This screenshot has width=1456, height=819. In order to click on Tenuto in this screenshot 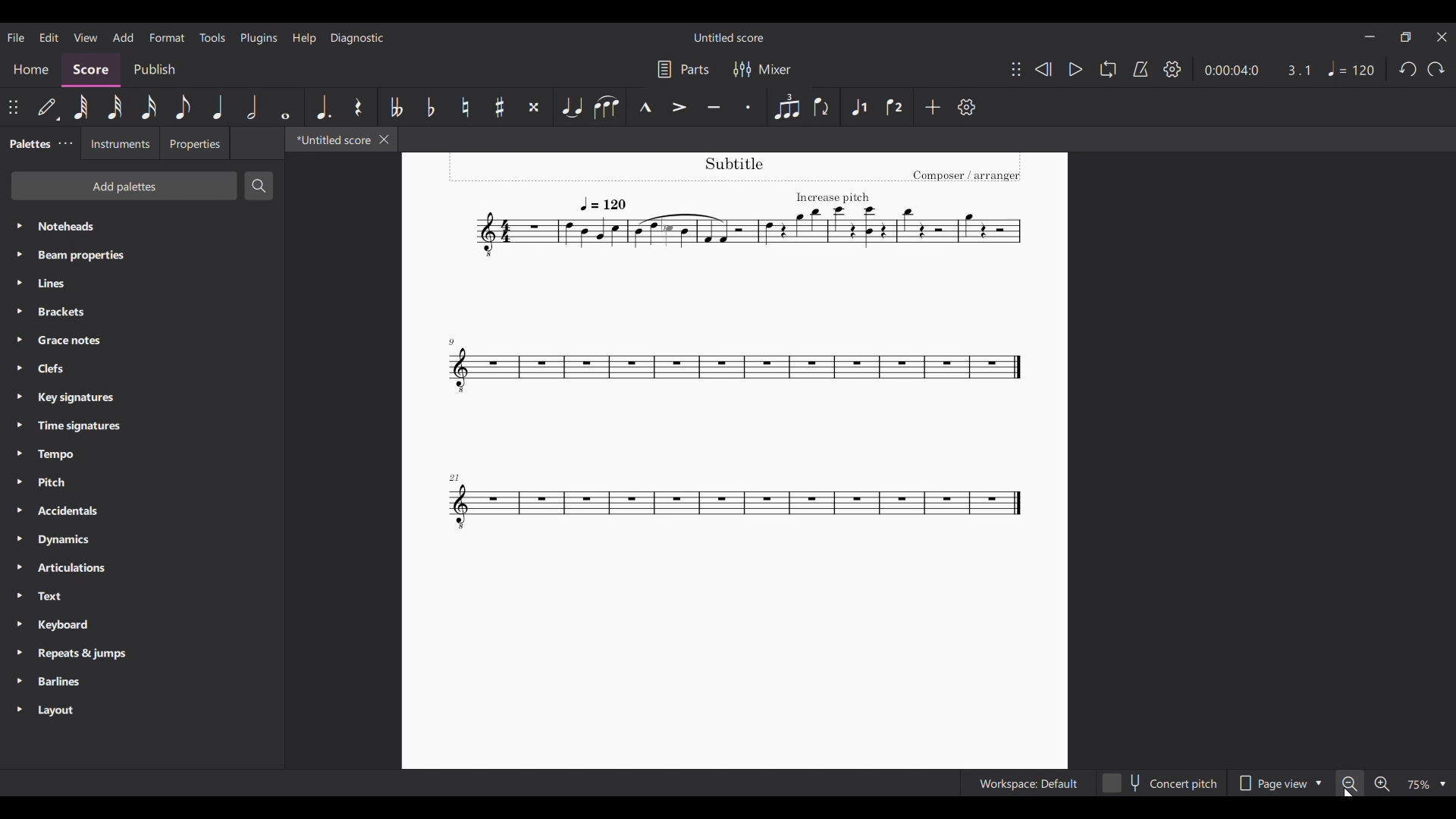, I will do `click(714, 107)`.